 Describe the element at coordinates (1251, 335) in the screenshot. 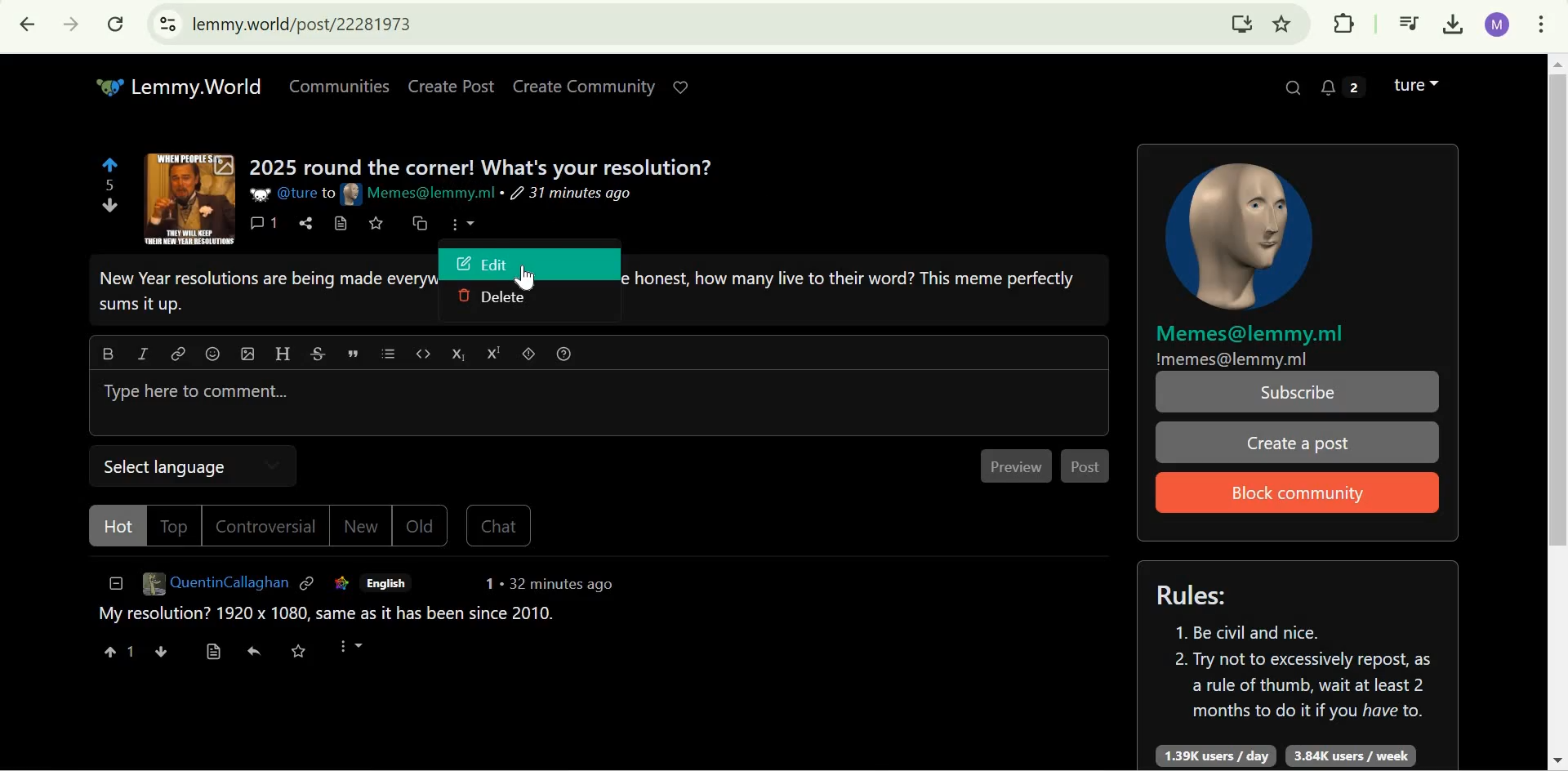

I see `Memes@lemmy.ml` at that location.